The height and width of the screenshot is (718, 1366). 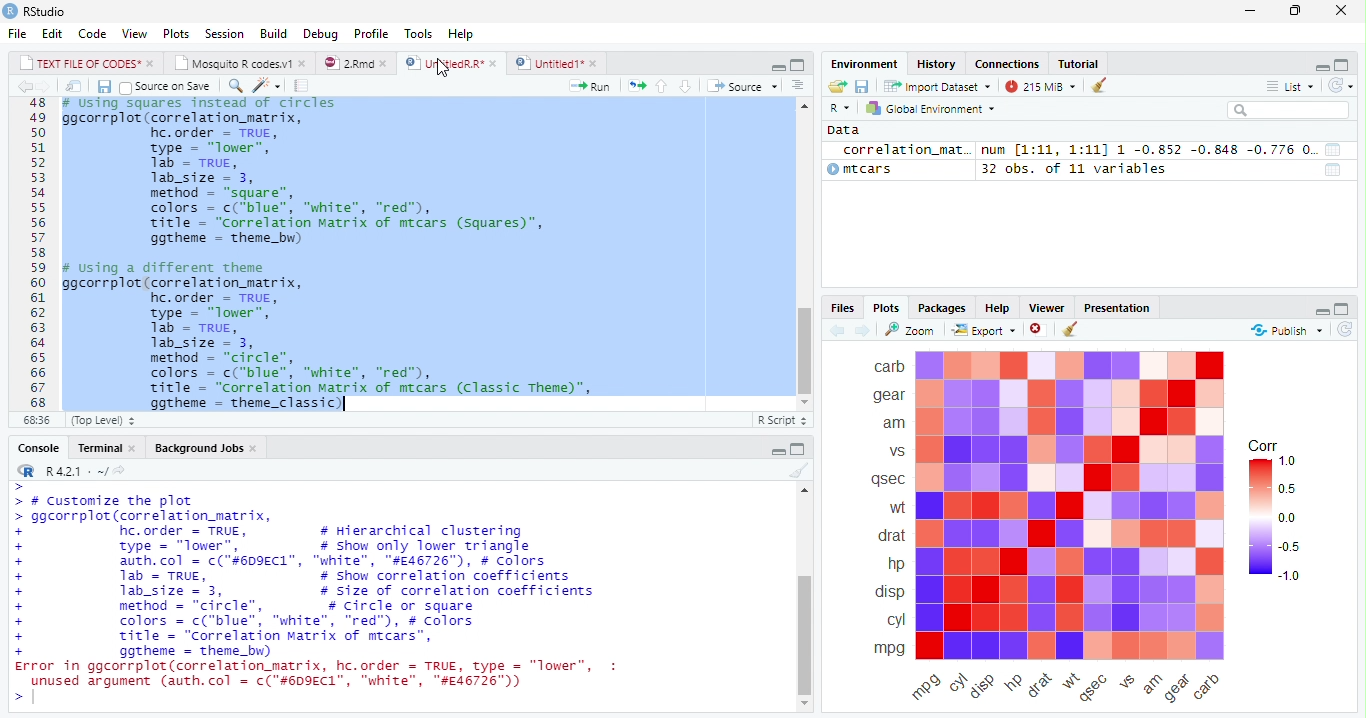 I want to click on Build, so click(x=275, y=33).